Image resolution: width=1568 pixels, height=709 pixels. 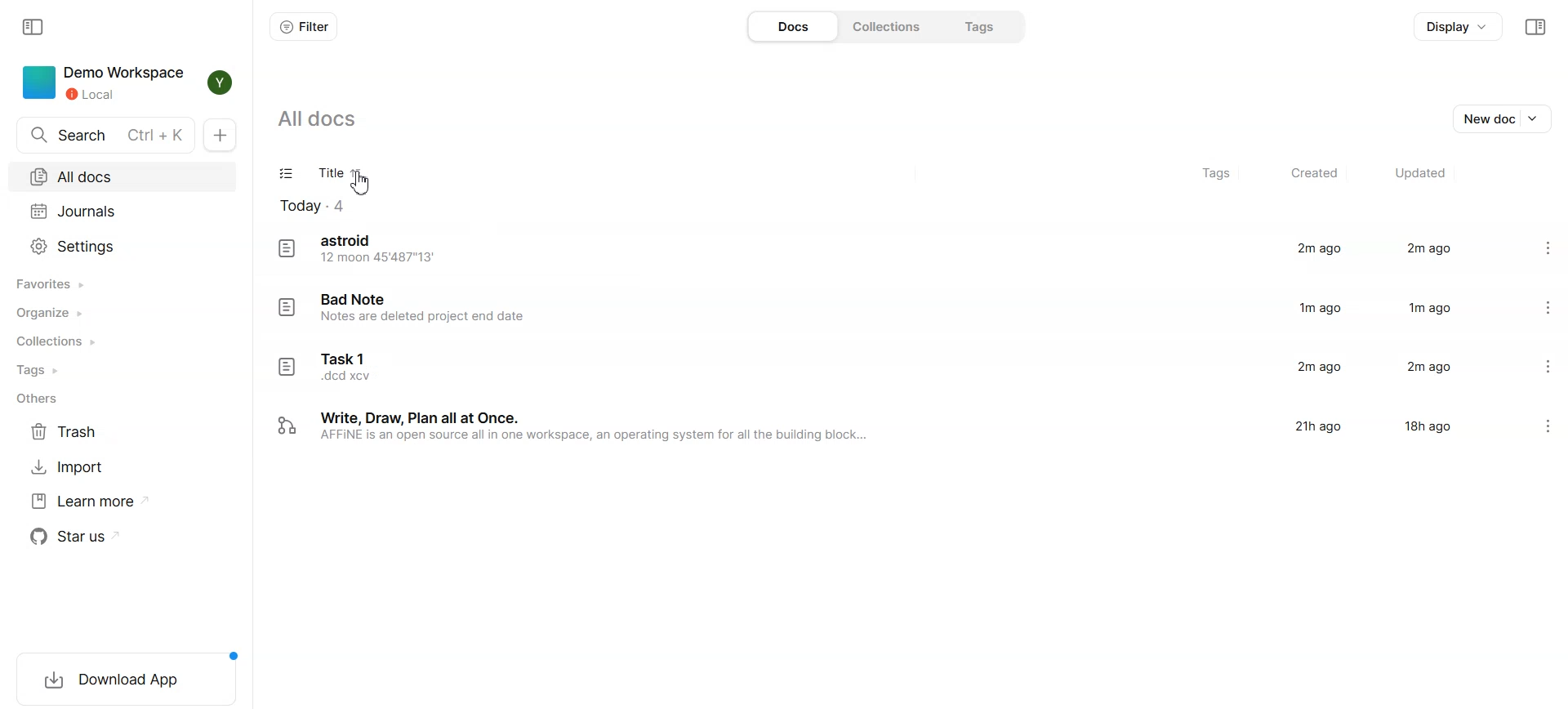 I want to click on 2m ago, so click(x=1428, y=247).